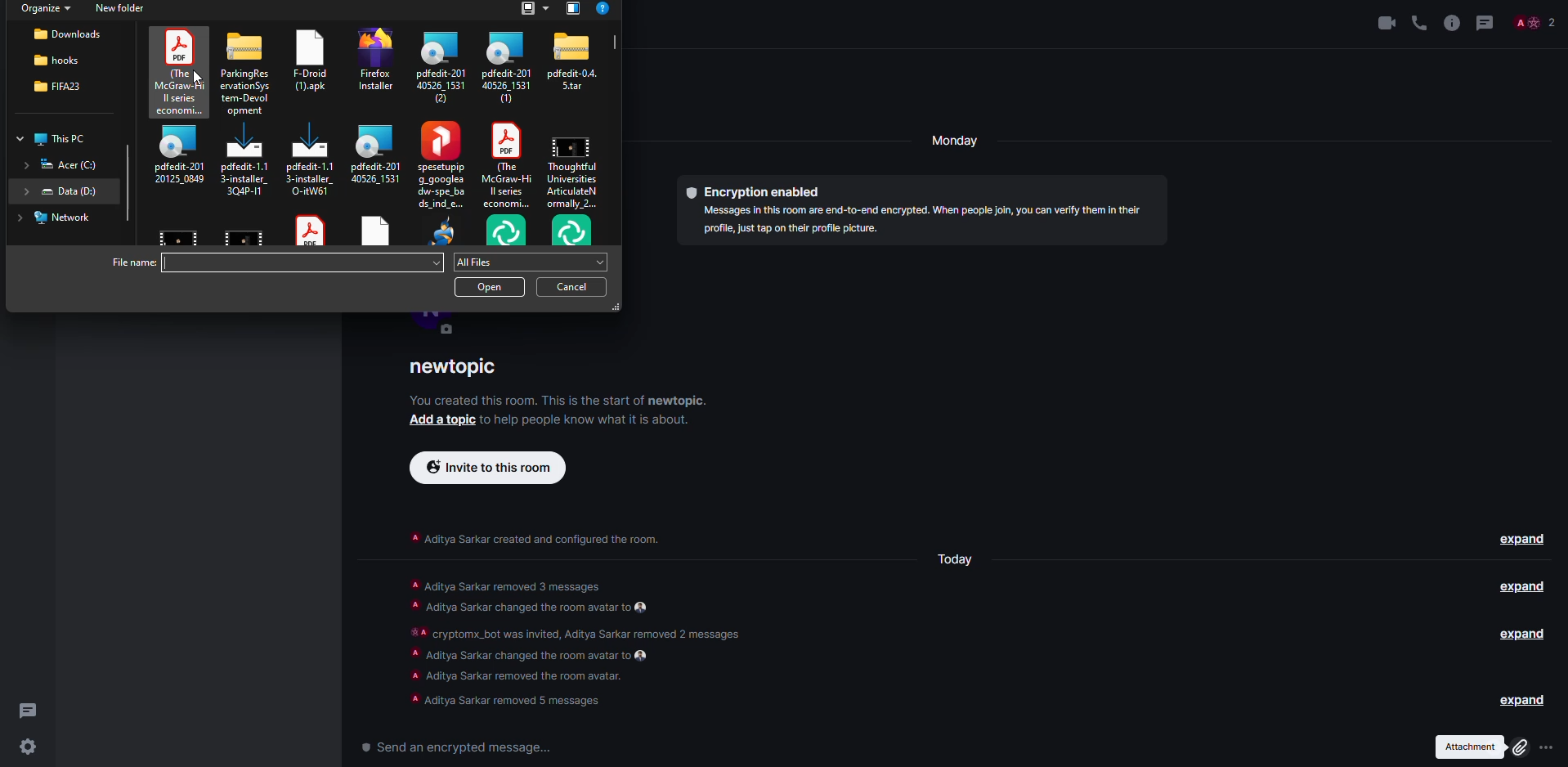 The width and height of the screenshot is (1568, 767). Describe the element at coordinates (441, 65) in the screenshot. I see `file` at that location.